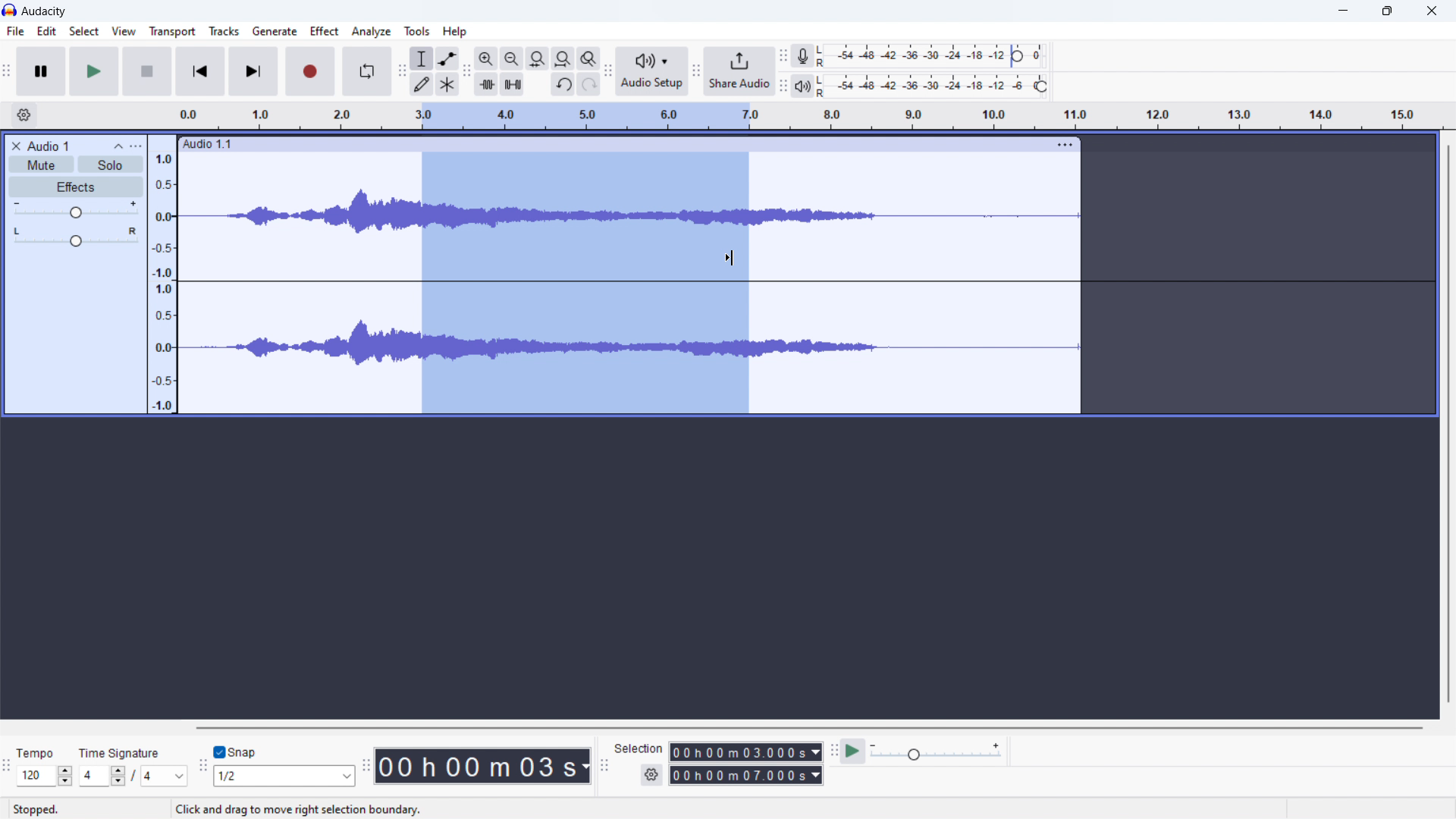 This screenshot has height=819, width=1456. I want to click on toggle snap, so click(237, 752).